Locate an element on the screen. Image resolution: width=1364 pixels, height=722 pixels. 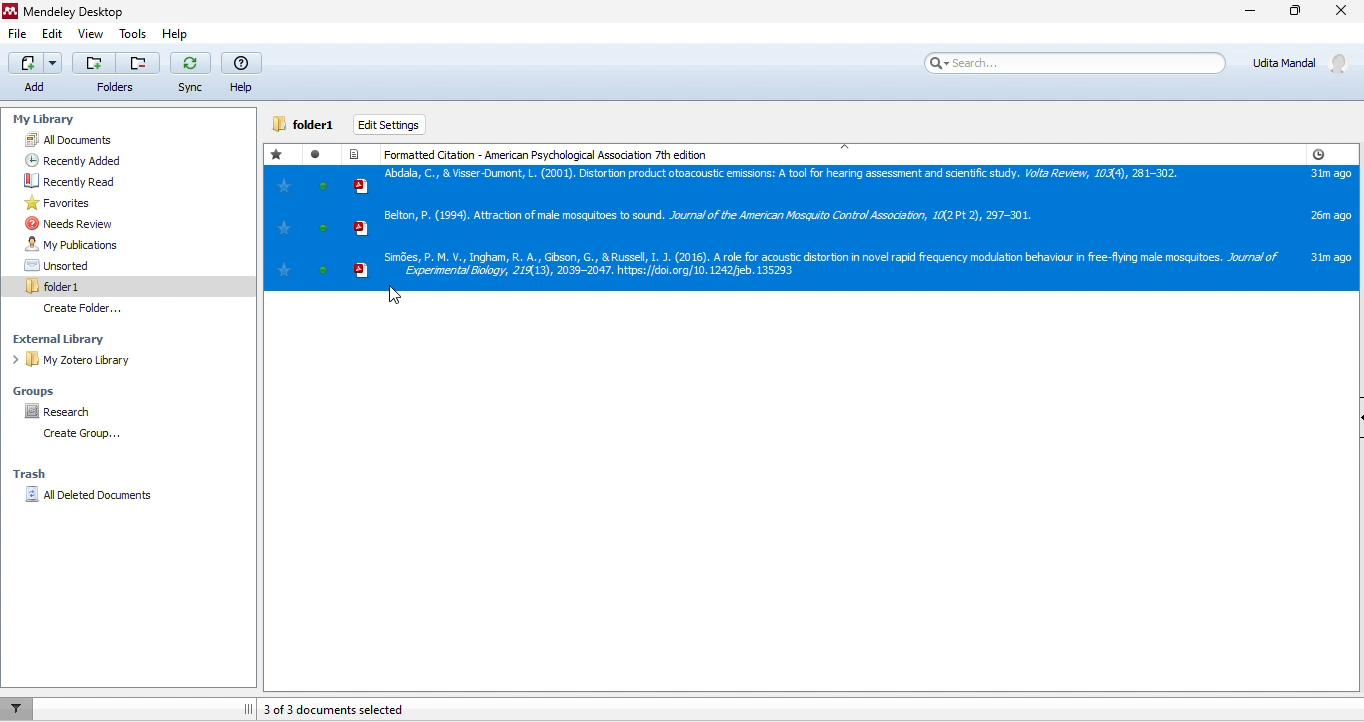
needs review is located at coordinates (70, 225).